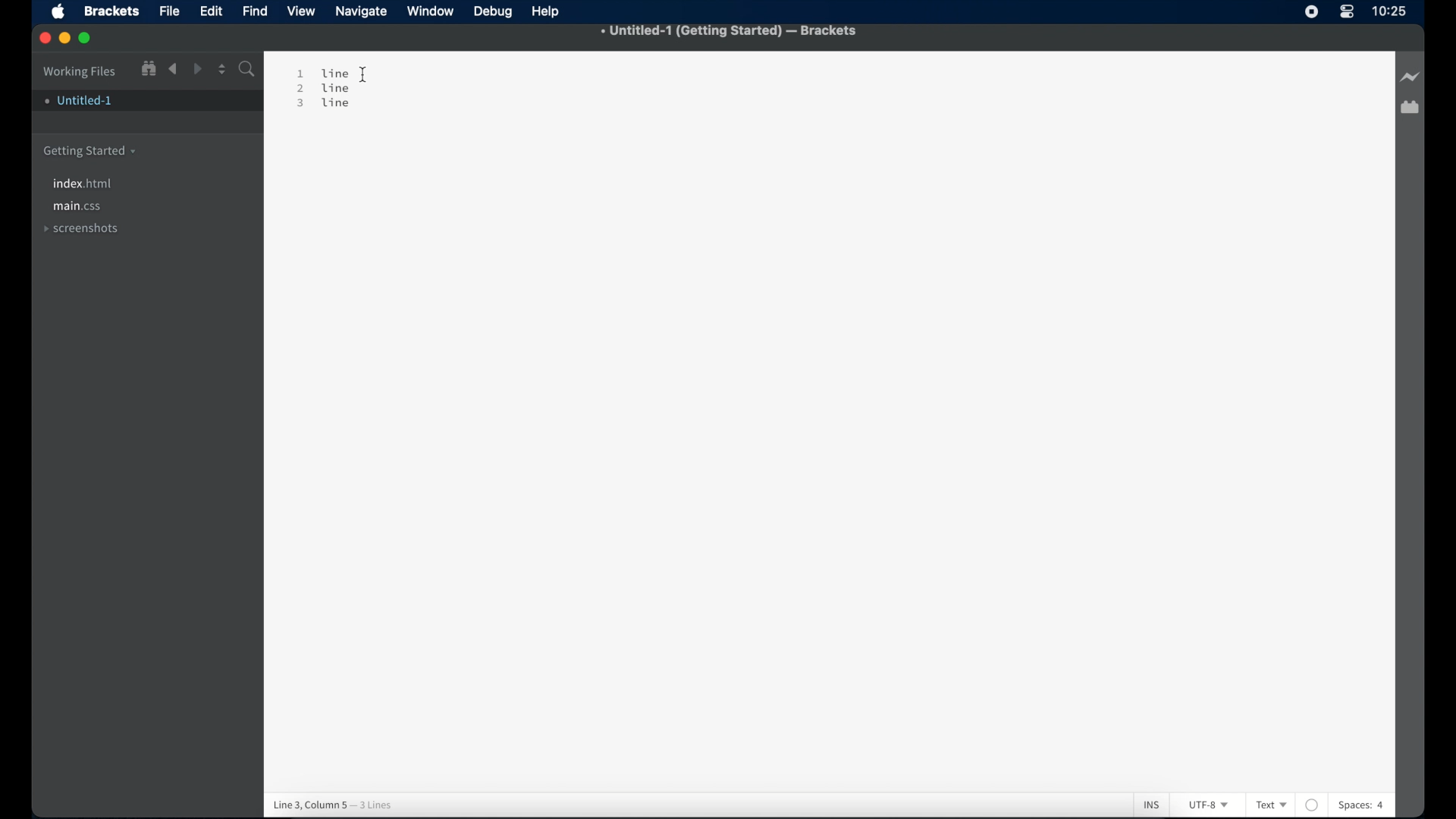  What do you see at coordinates (248, 70) in the screenshot?
I see `find in files` at bounding box center [248, 70].